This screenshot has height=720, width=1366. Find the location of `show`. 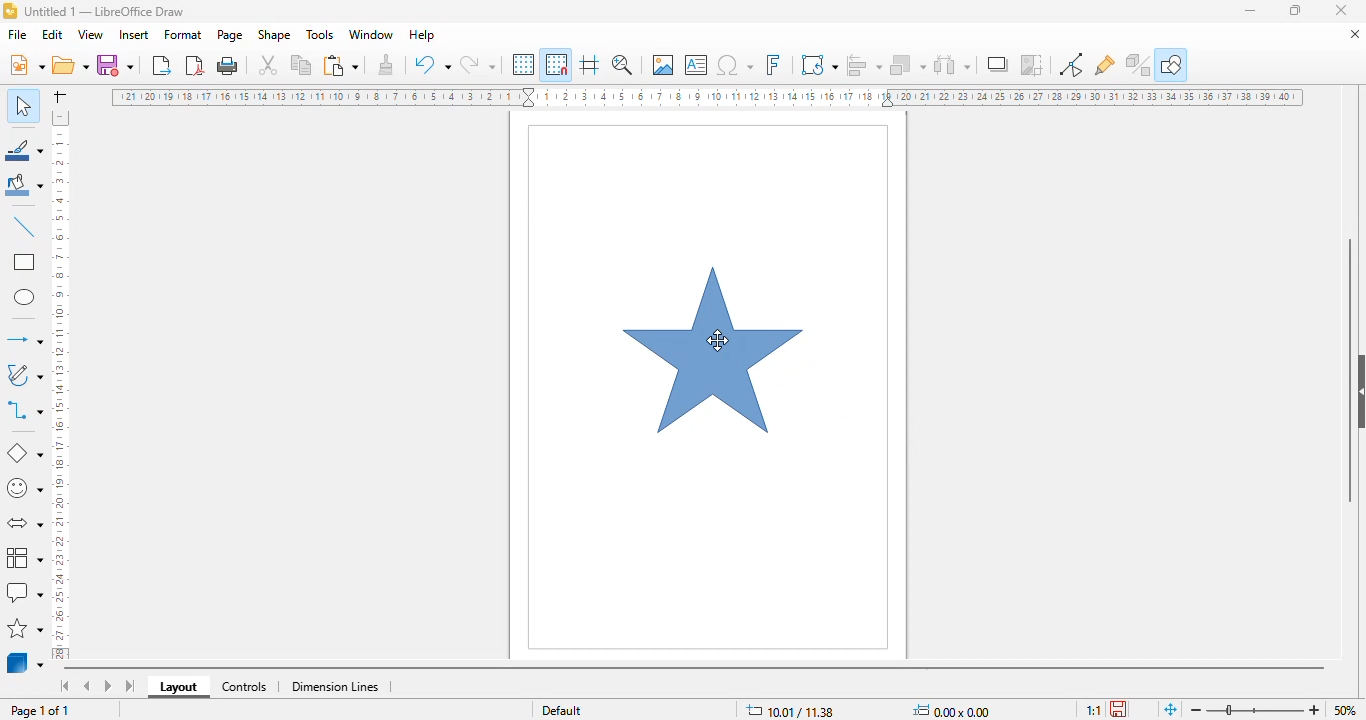

show is located at coordinates (1357, 392).